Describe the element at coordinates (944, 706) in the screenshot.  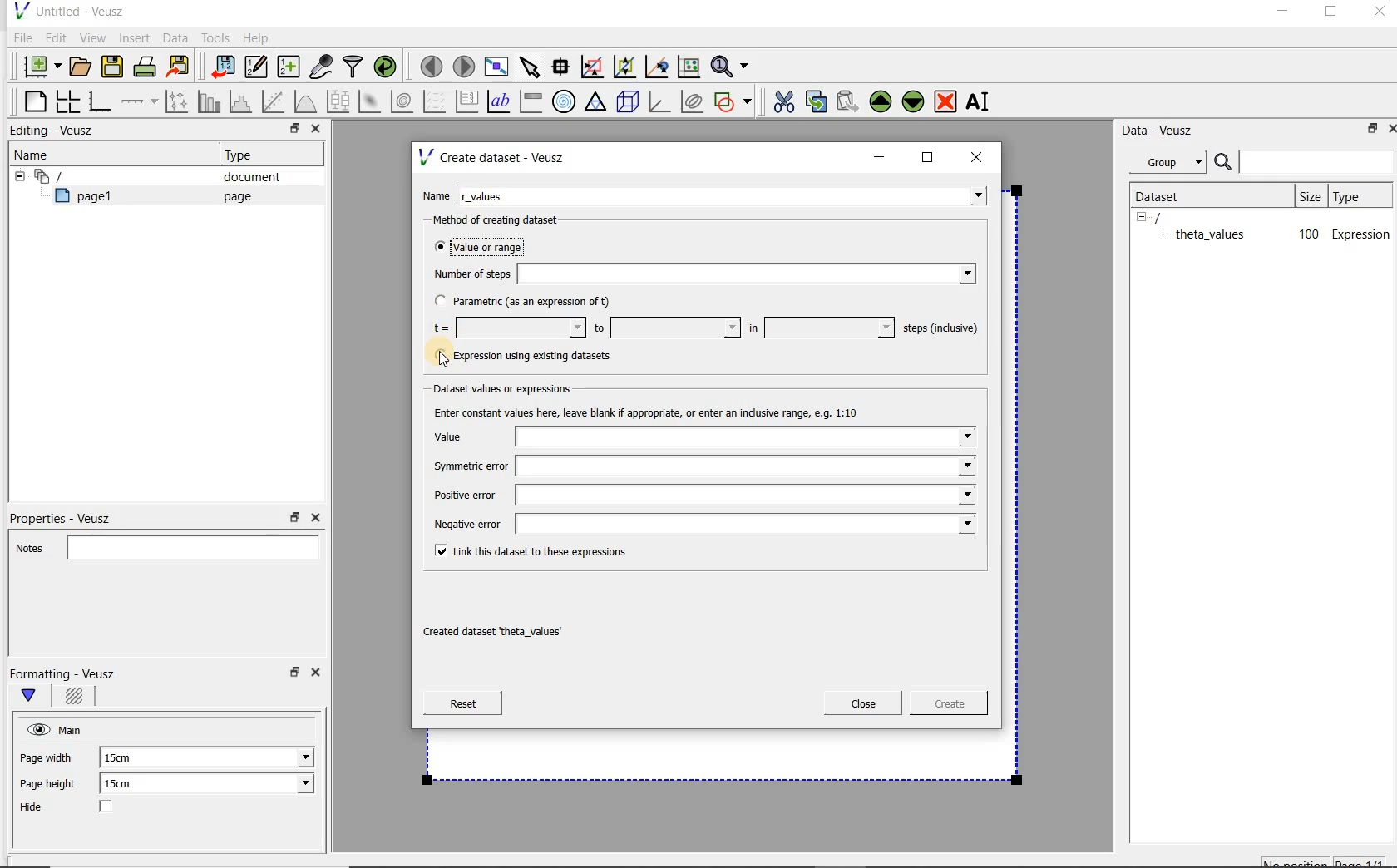
I see `Create` at that location.